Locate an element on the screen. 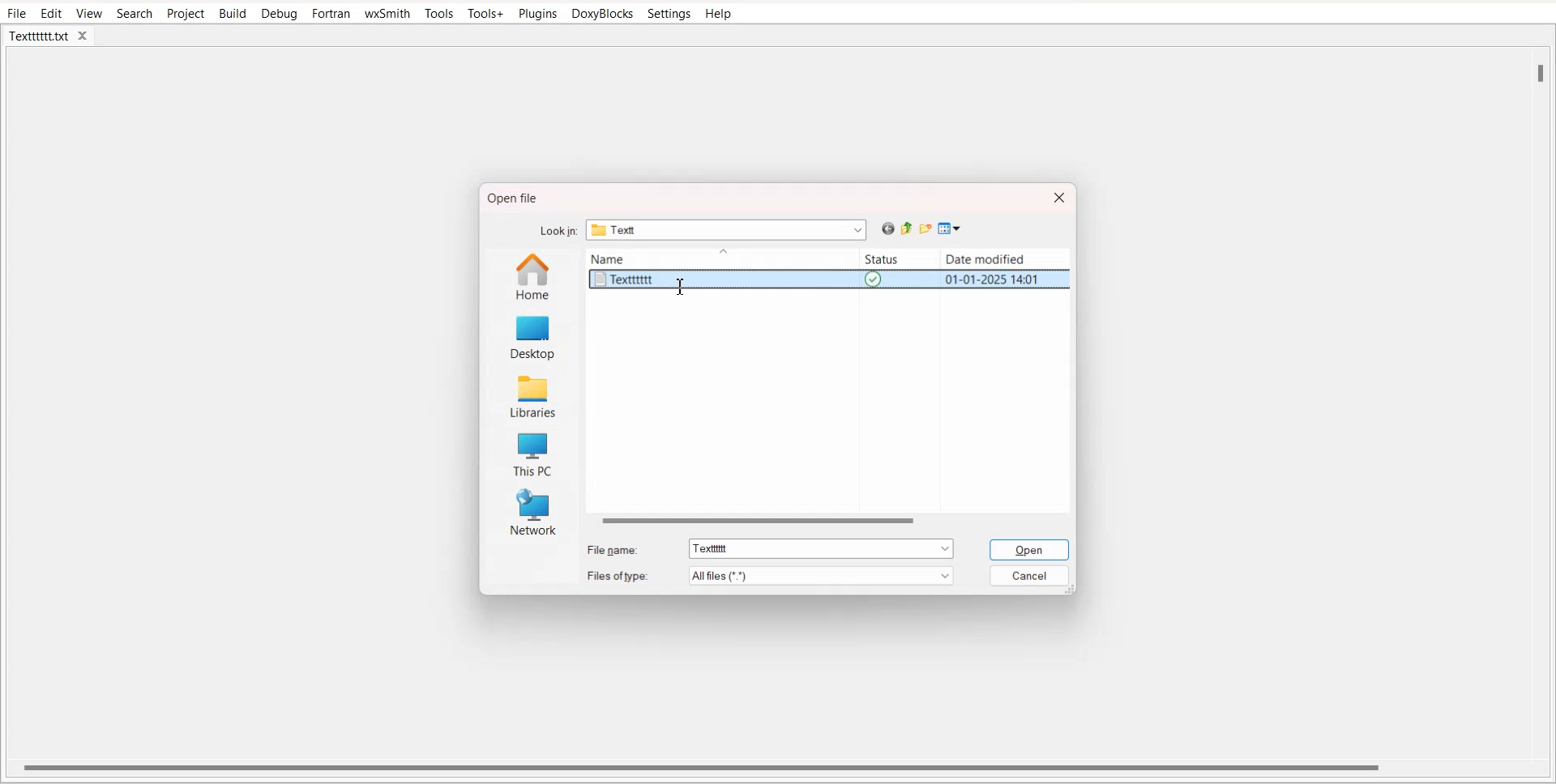 This screenshot has height=784, width=1556. Horizontal scroll bar is located at coordinates (828, 522).